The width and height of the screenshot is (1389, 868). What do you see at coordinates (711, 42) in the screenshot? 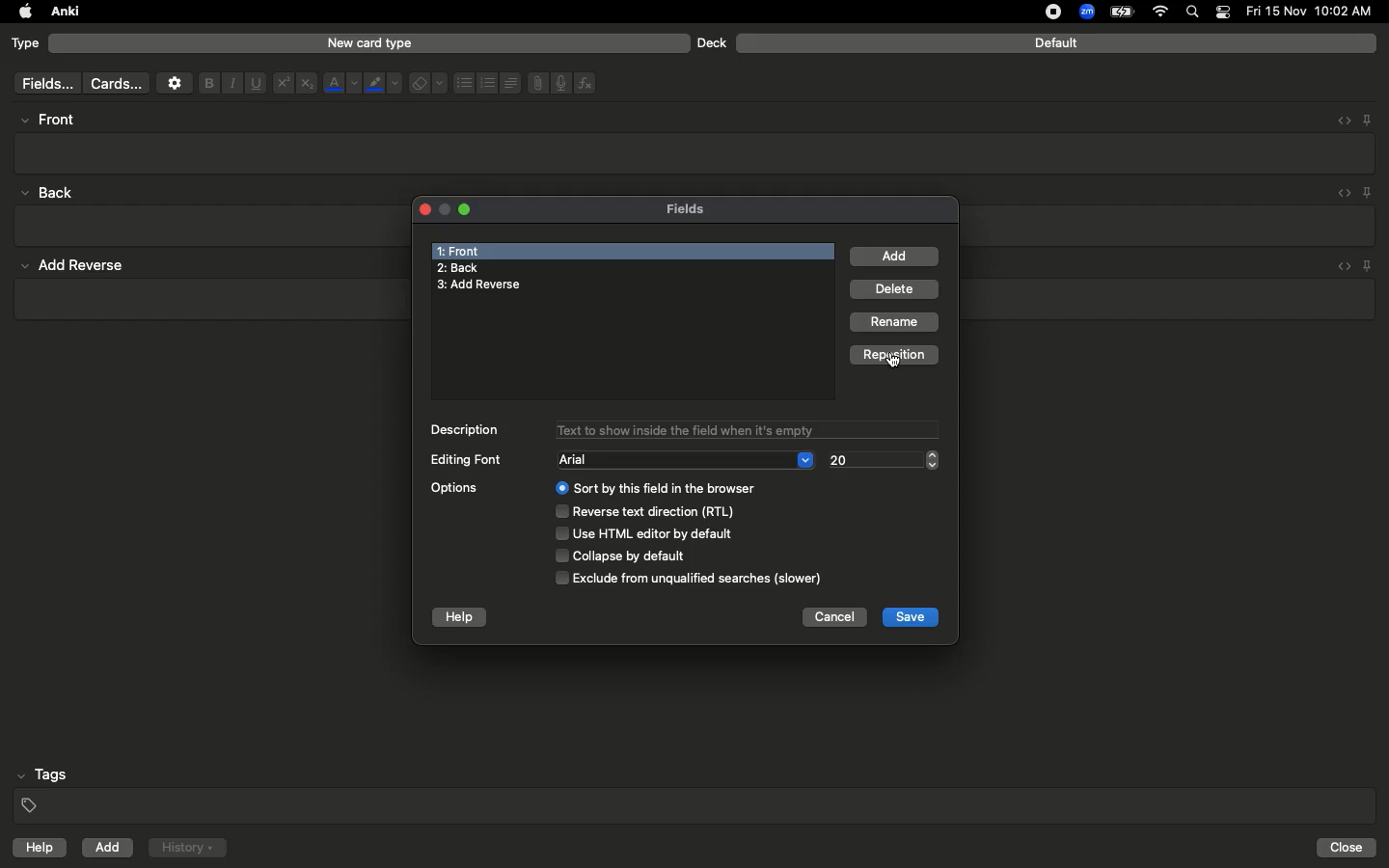
I see `Deck` at bounding box center [711, 42].